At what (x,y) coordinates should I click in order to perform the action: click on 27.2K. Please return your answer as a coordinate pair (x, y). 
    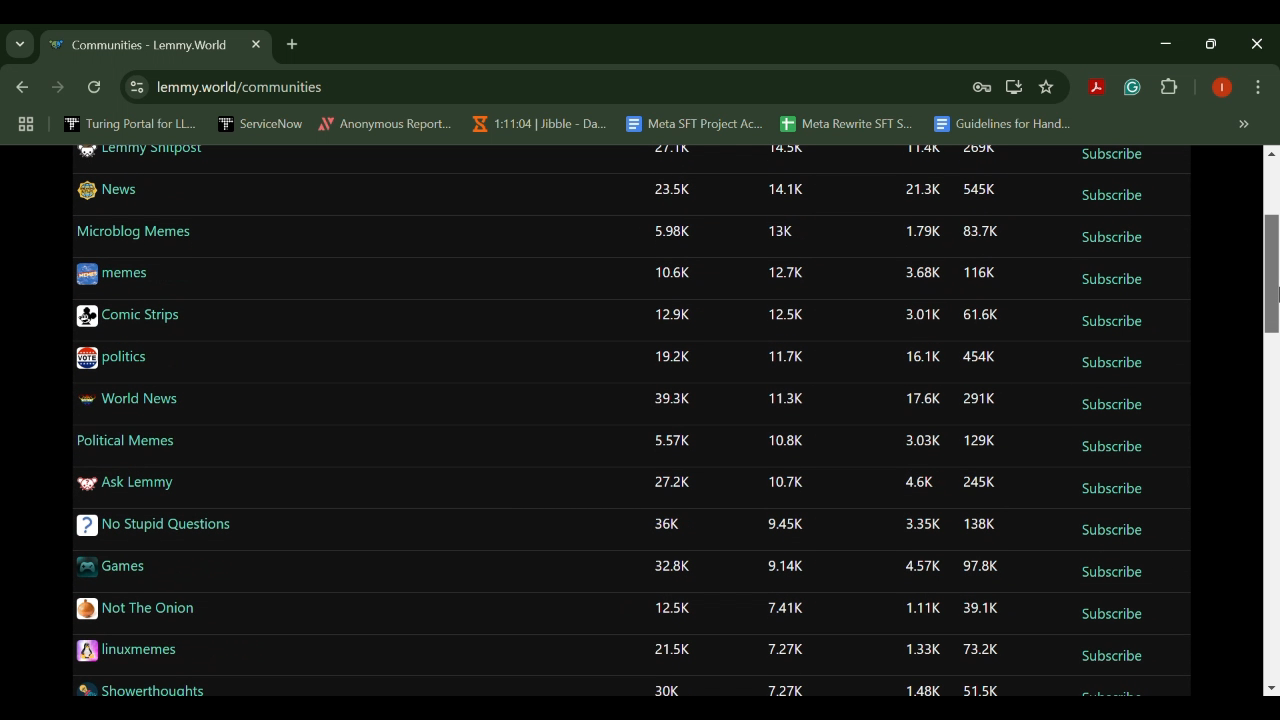
    Looking at the image, I should click on (670, 484).